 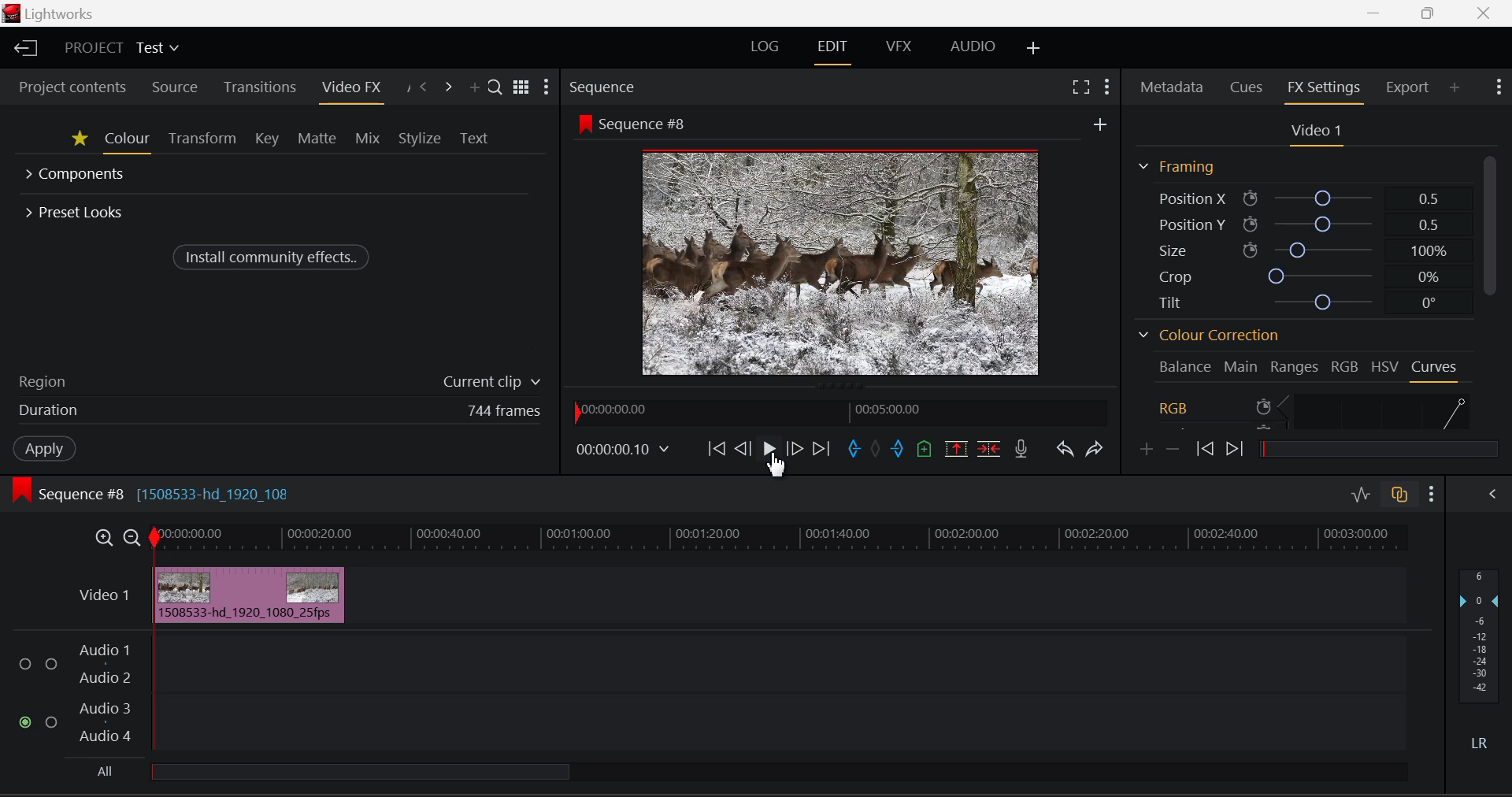 What do you see at coordinates (1312, 132) in the screenshot?
I see `Video Settings` at bounding box center [1312, 132].